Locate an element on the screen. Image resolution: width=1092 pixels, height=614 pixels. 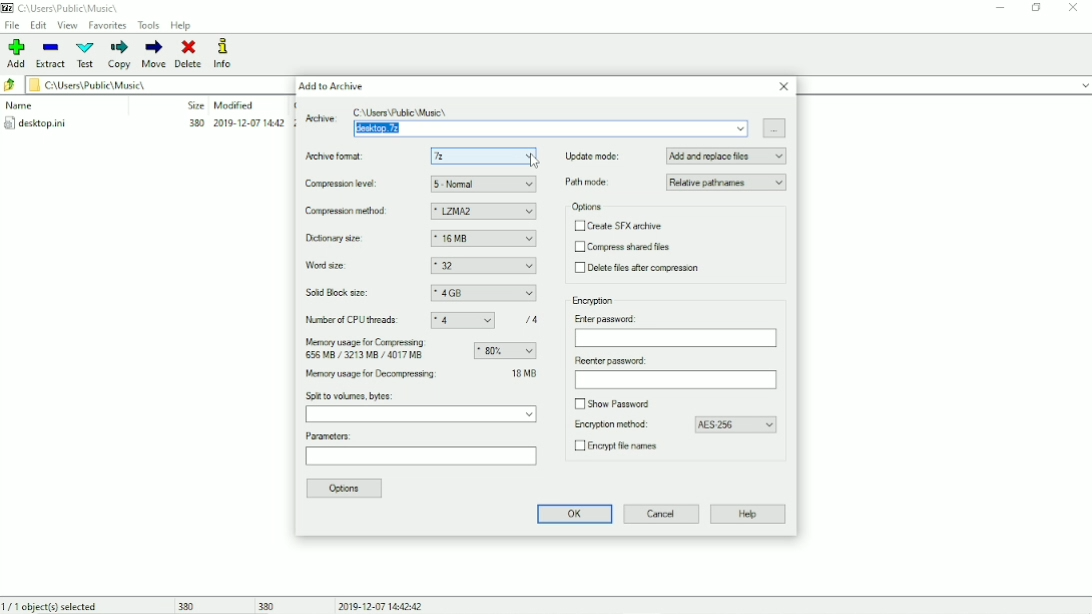
View is located at coordinates (68, 25).